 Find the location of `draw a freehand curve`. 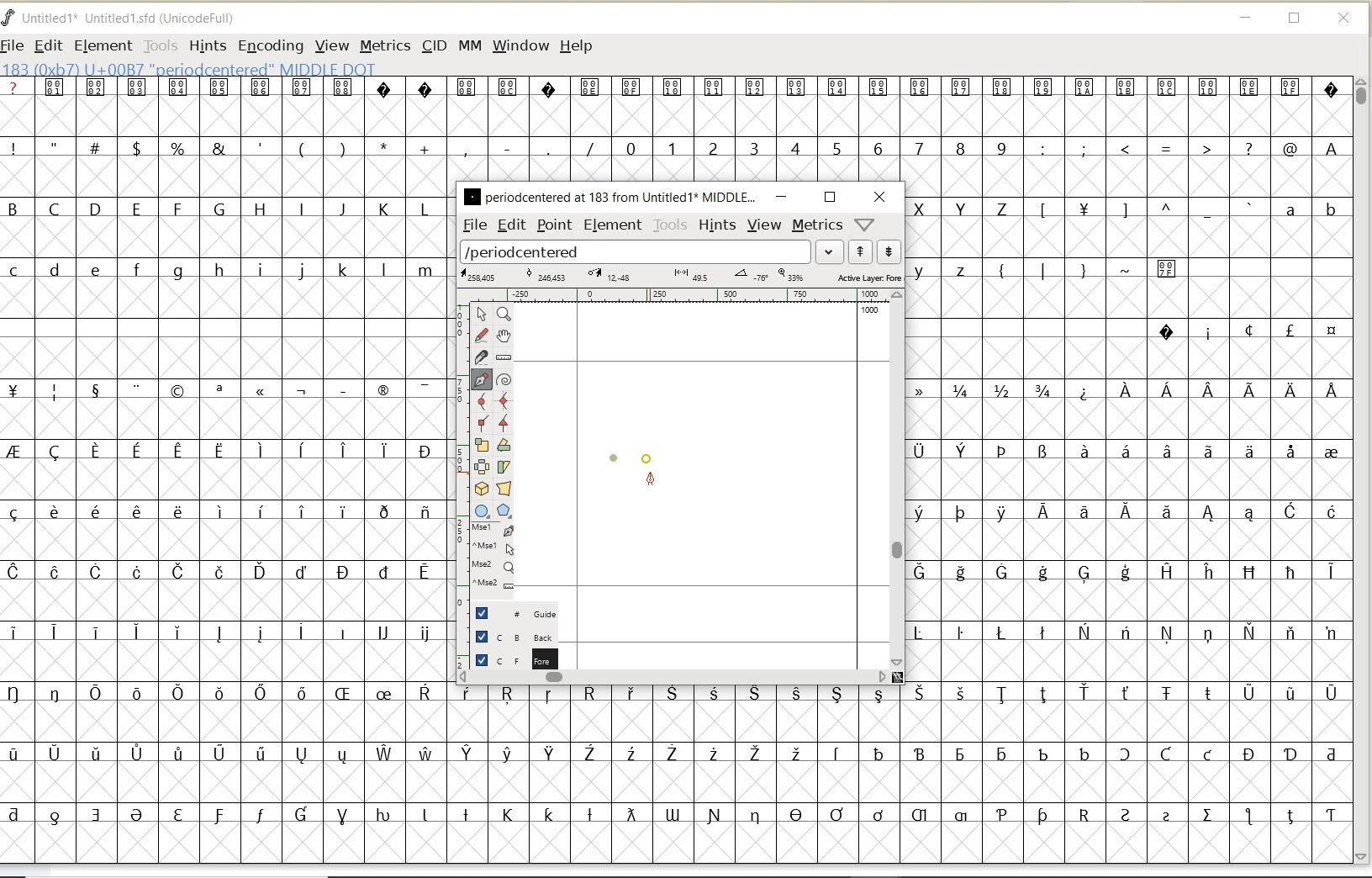

draw a freehand curve is located at coordinates (481, 333).